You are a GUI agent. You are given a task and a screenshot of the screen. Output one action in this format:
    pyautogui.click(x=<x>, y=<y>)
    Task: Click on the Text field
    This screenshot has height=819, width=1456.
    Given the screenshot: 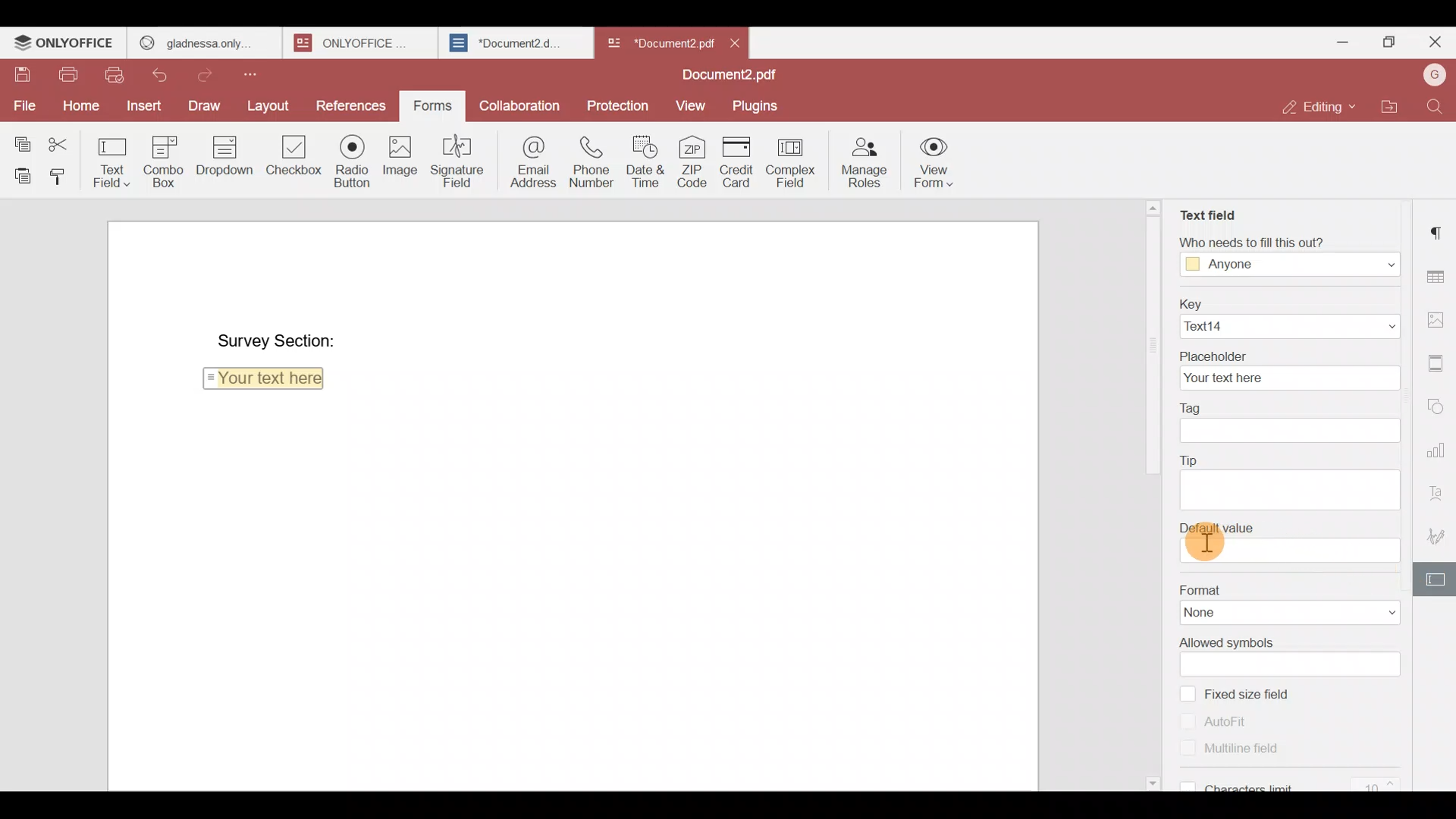 What is the action you would take?
    pyautogui.click(x=1207, y=212)
    